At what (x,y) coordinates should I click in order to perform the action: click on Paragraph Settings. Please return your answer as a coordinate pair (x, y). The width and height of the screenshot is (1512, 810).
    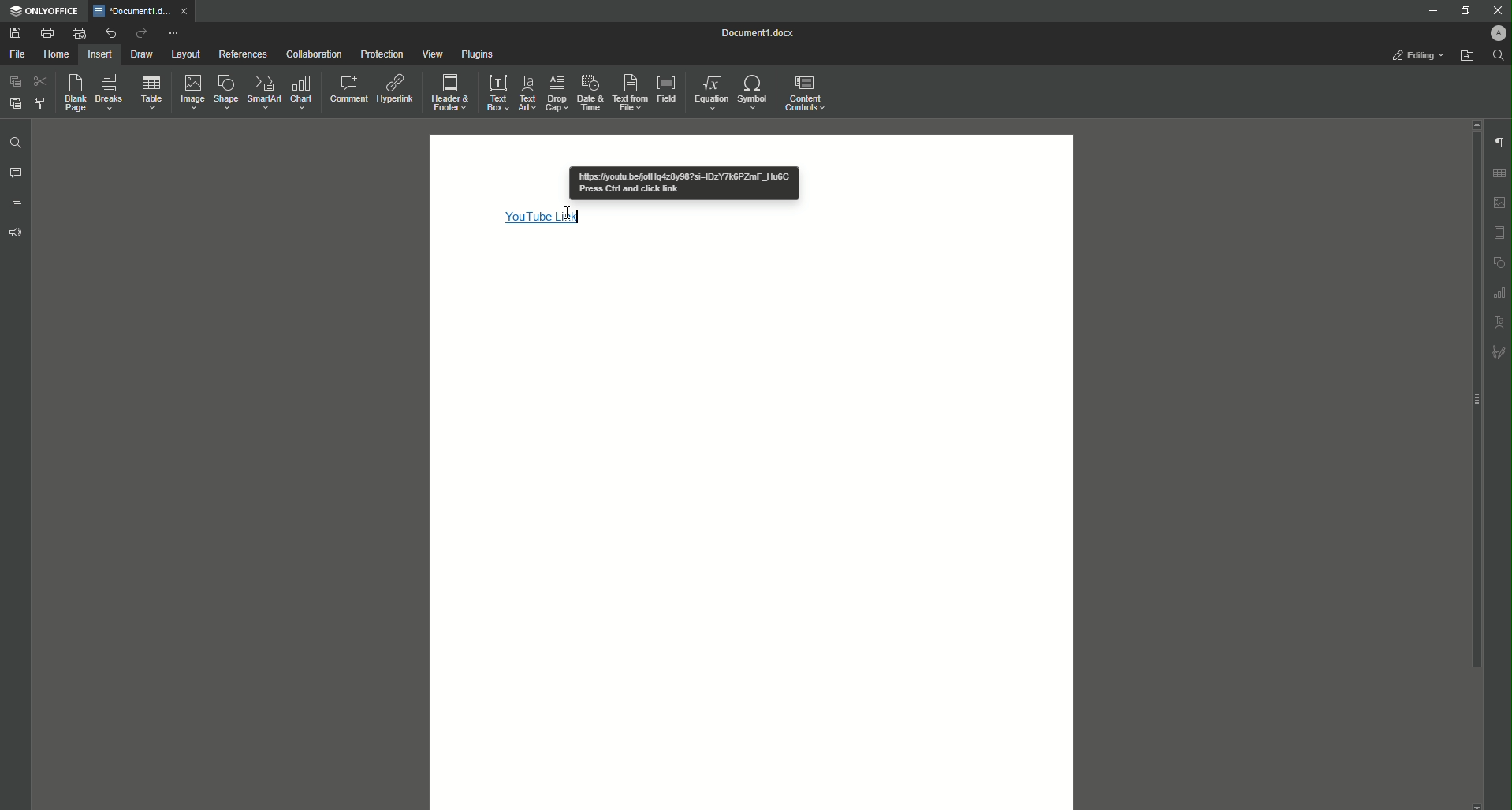
    Looking at the image, I should click on (1499, 143).